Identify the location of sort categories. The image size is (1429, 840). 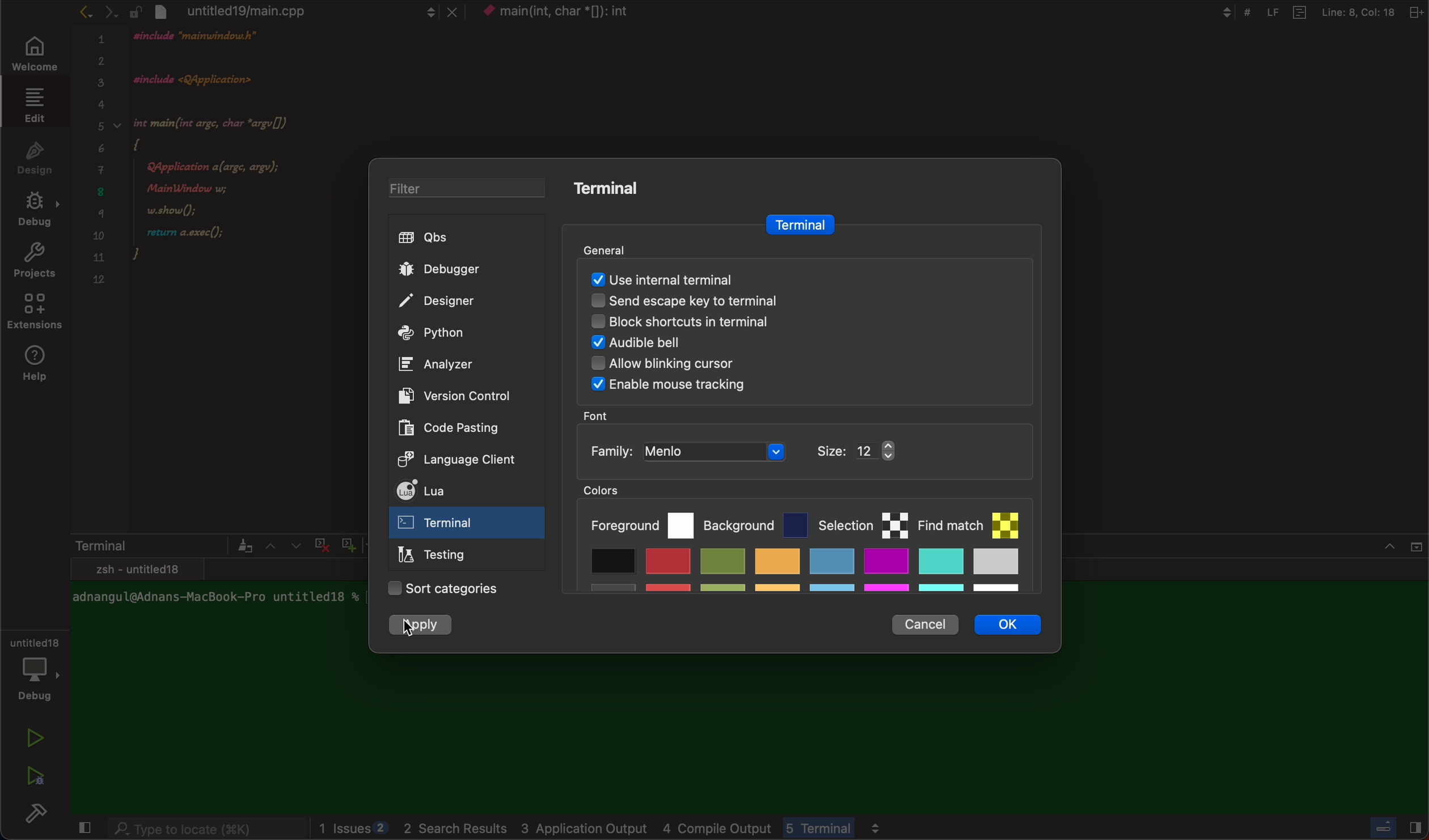
(445, 589).